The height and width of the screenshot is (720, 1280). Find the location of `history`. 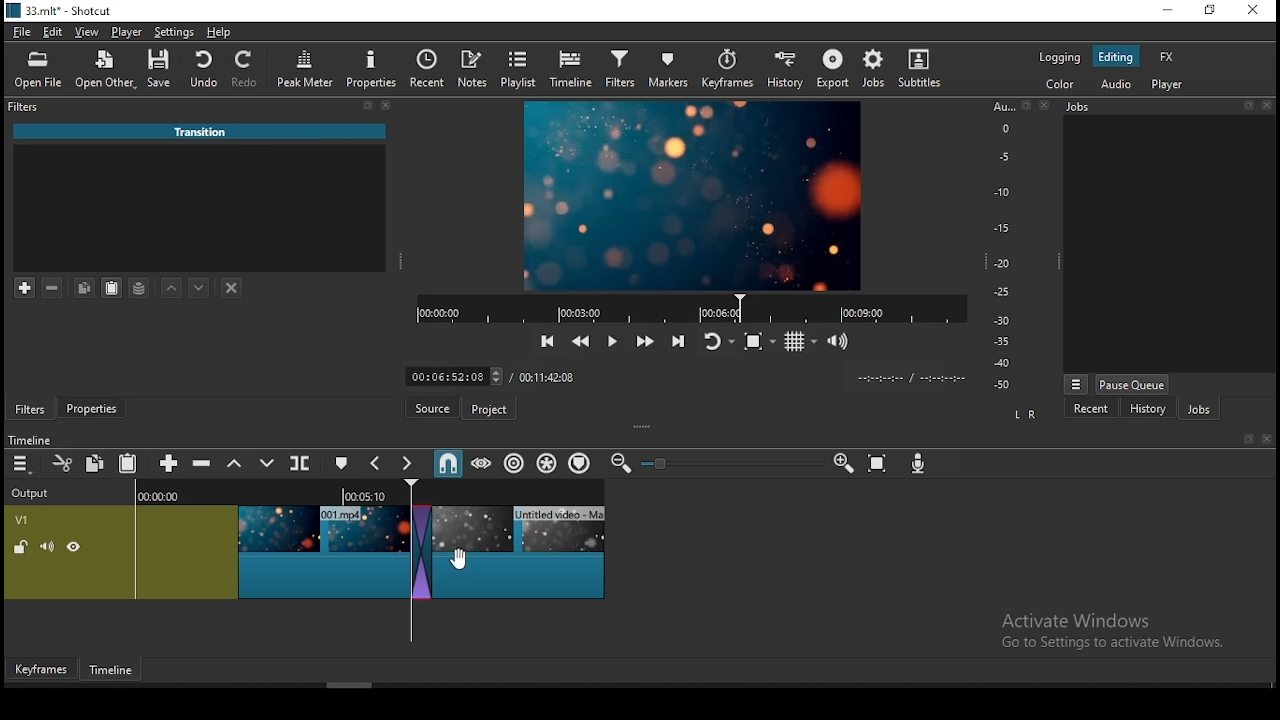

history is located at coordinates (1146, 408).